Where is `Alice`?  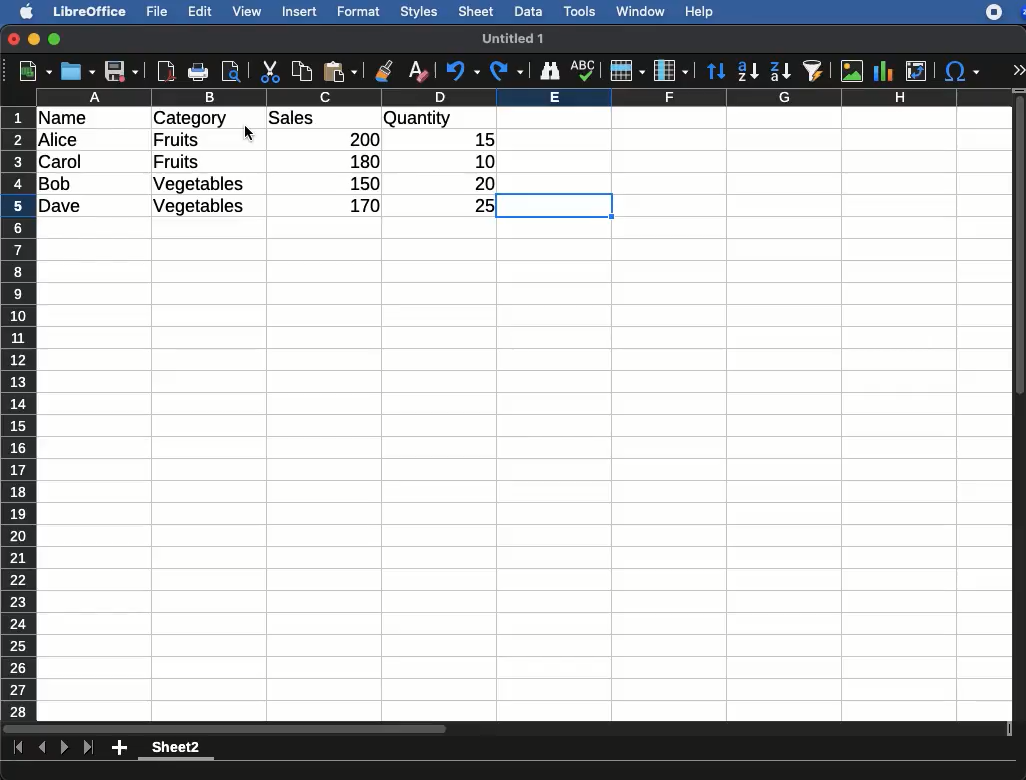 Alice is located at coordinates (60, 141).